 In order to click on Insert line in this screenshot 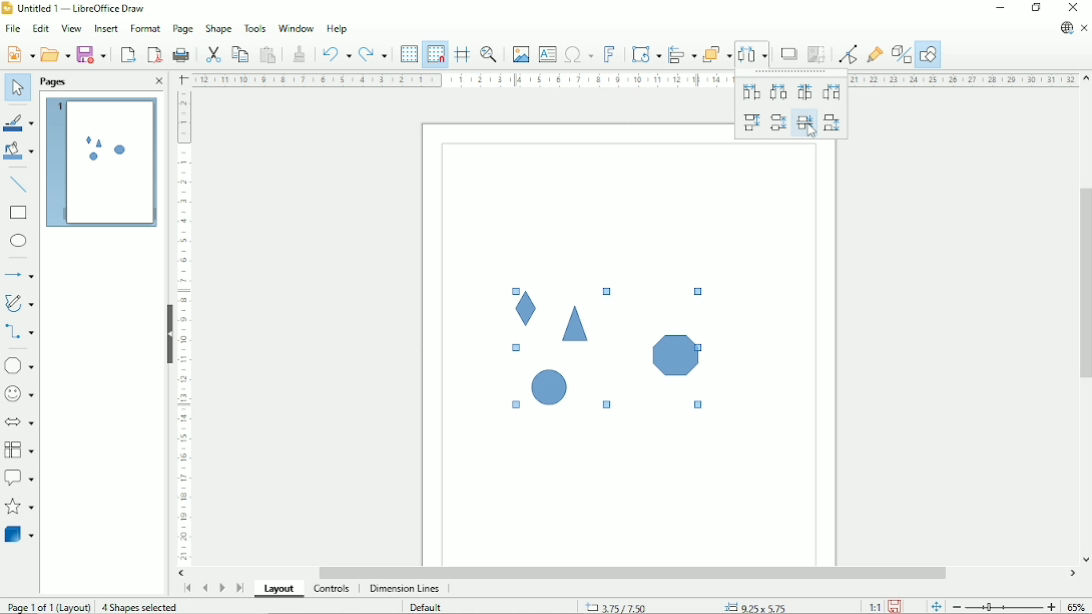, I will do `click(19, 186)`.